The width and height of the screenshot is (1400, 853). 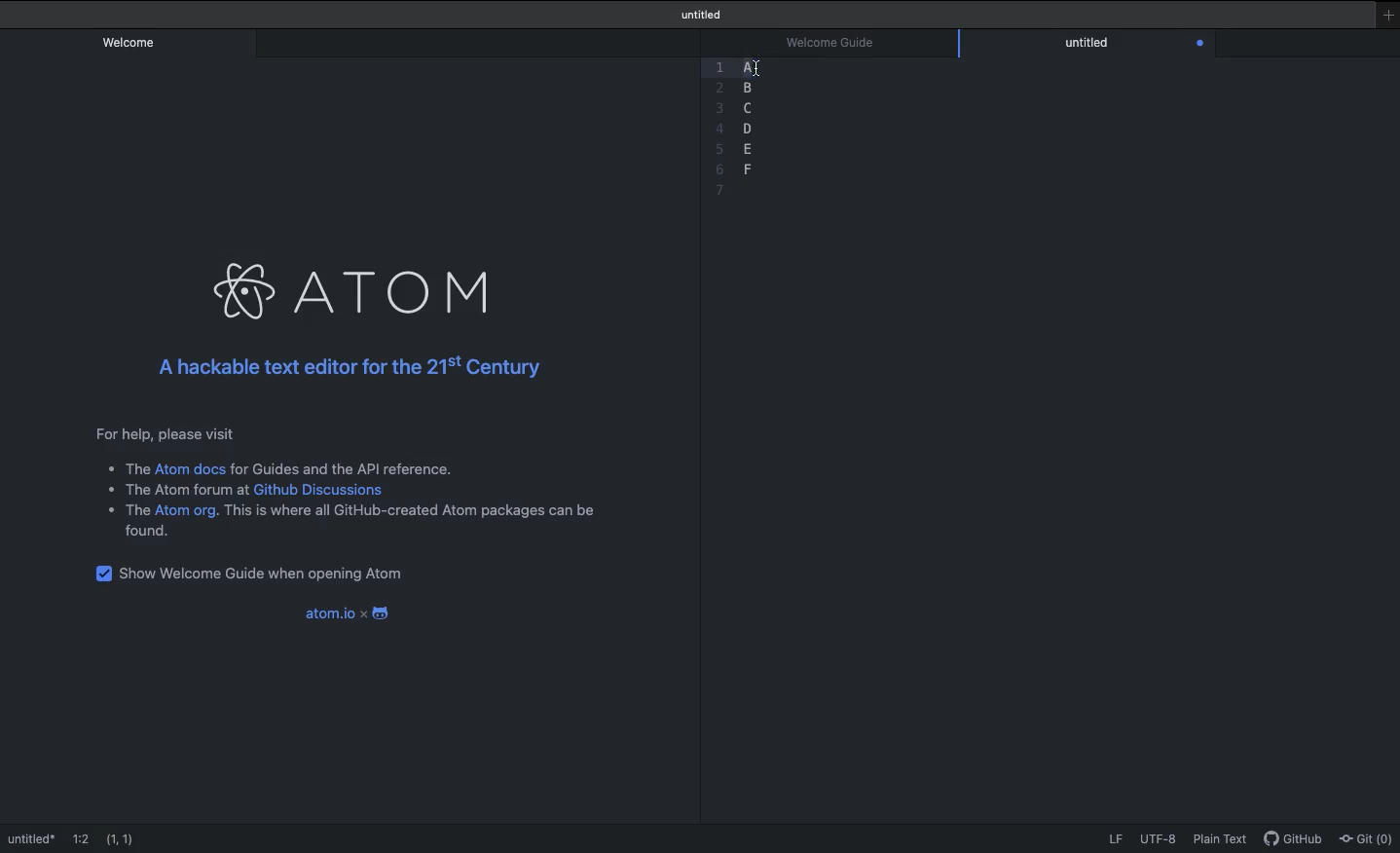 What do you see at coordinates (718, 150) in the screenshot?
I see `5` at bounding box center [718, 150].